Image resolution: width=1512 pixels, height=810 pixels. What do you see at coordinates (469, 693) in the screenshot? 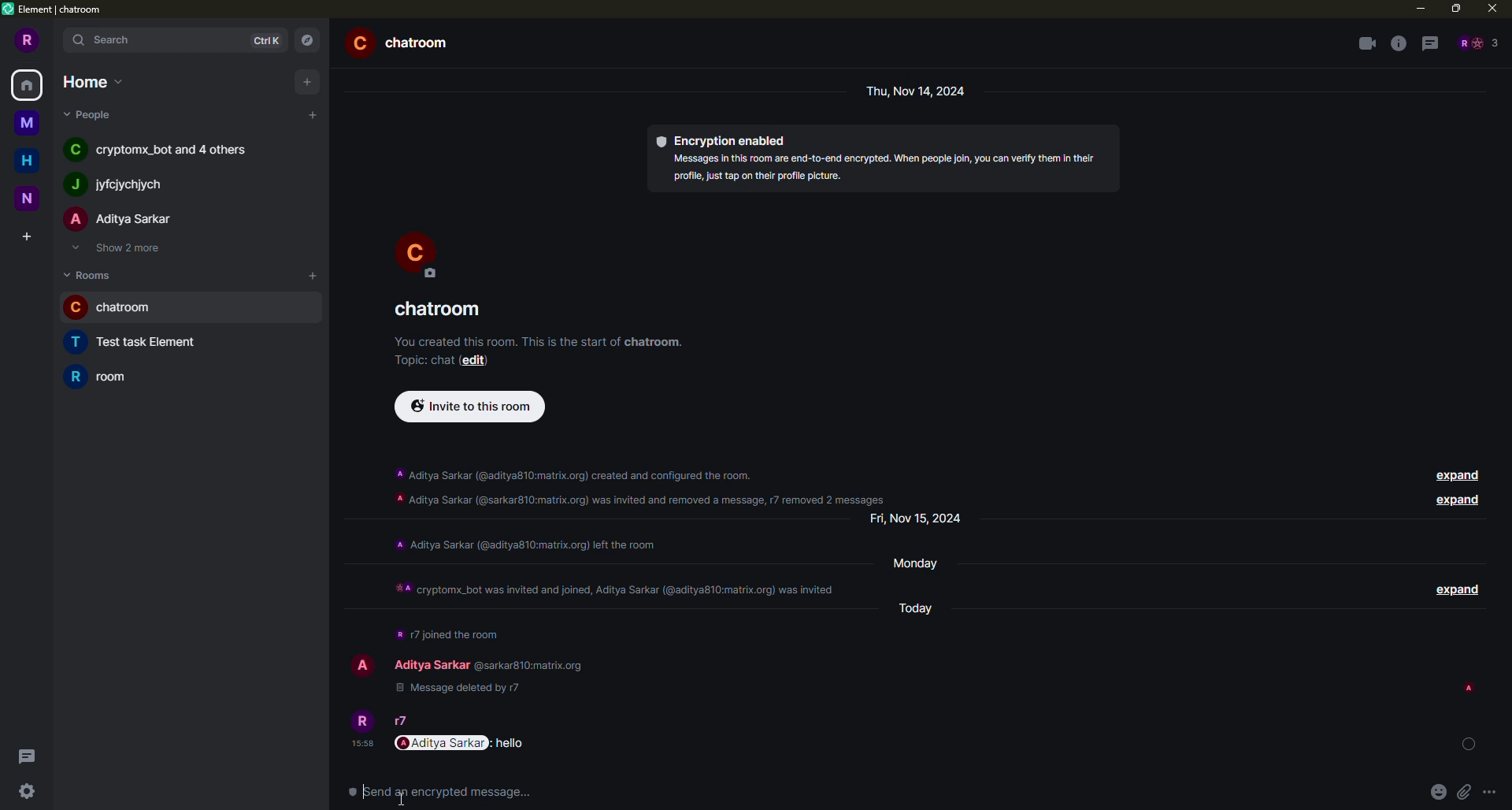
I see `deleted` at bounding box center [469, 693].